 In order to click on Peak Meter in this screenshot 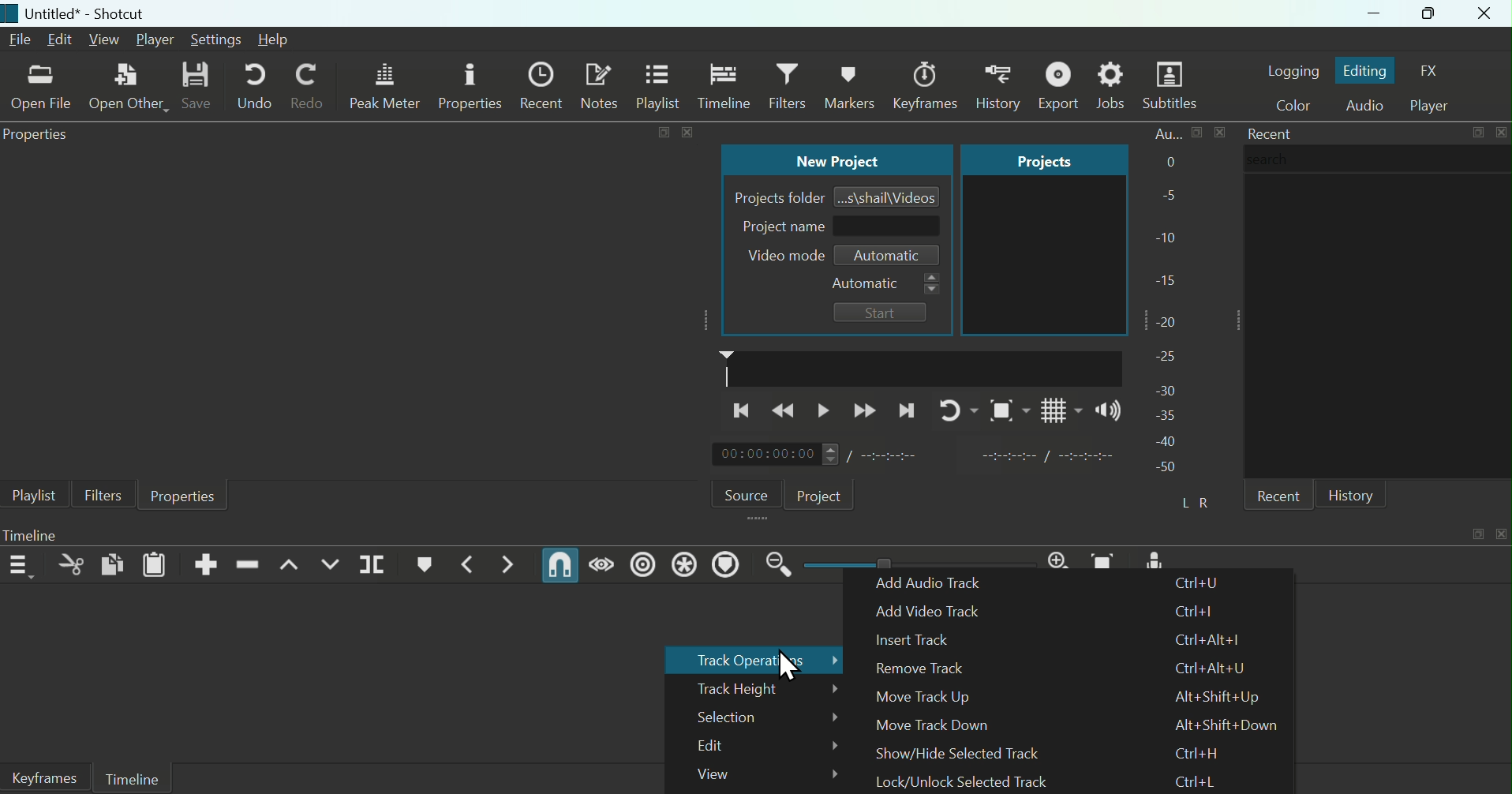, I will do `click(386, 86)`.